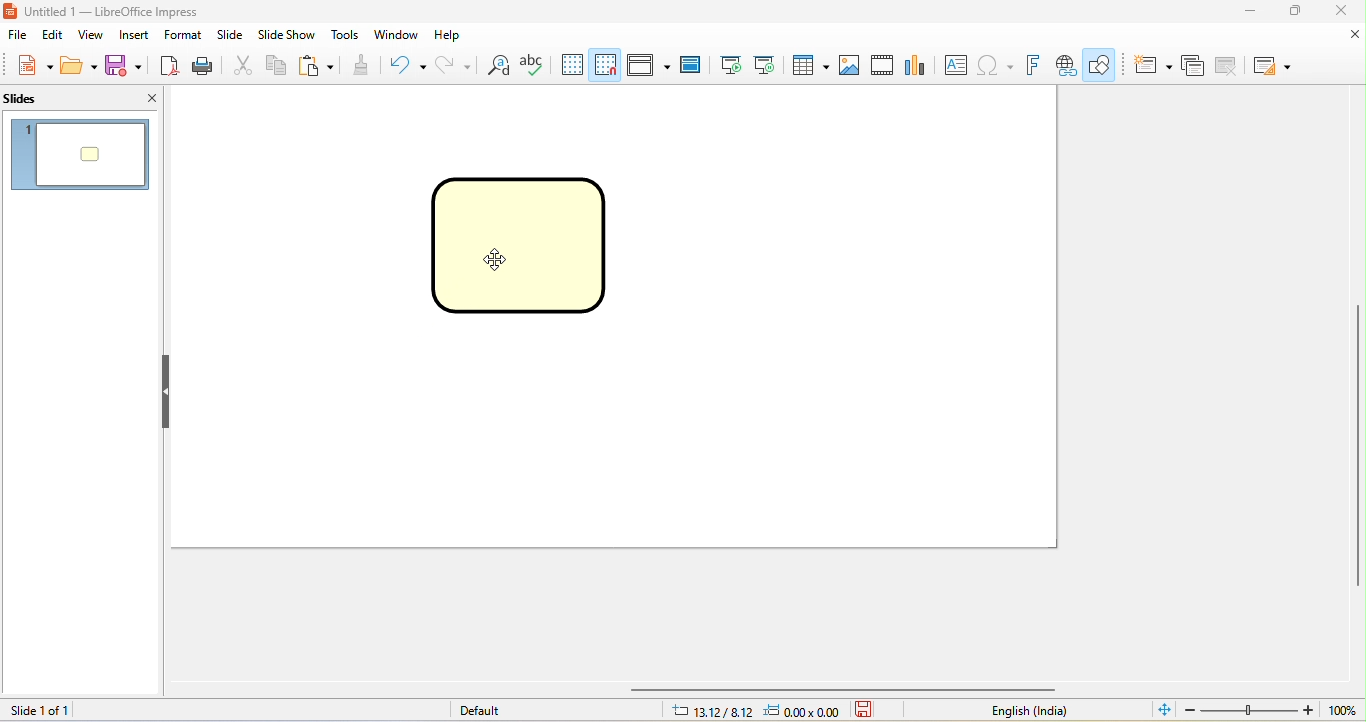 The height and width of the screenshot is (722, 1366). What do you see at coordinates (276, 64) in the screenshot?
I see `copy` at bounding box center [276, 64].